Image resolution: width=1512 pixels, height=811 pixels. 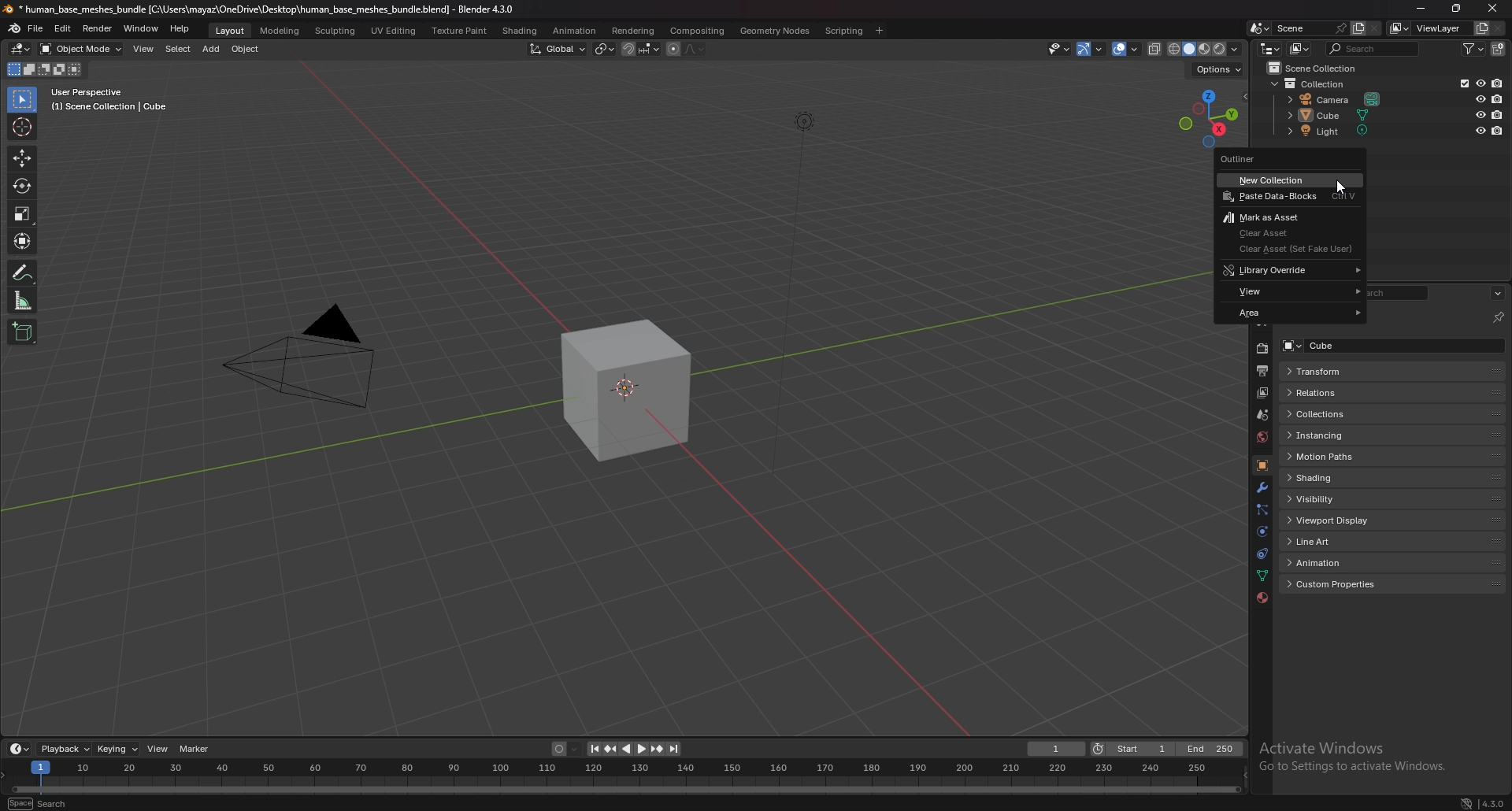 What do you see at coordinates (1474, 49) in the screenshot?
I see `filter` at bounding box center [1474, 49].